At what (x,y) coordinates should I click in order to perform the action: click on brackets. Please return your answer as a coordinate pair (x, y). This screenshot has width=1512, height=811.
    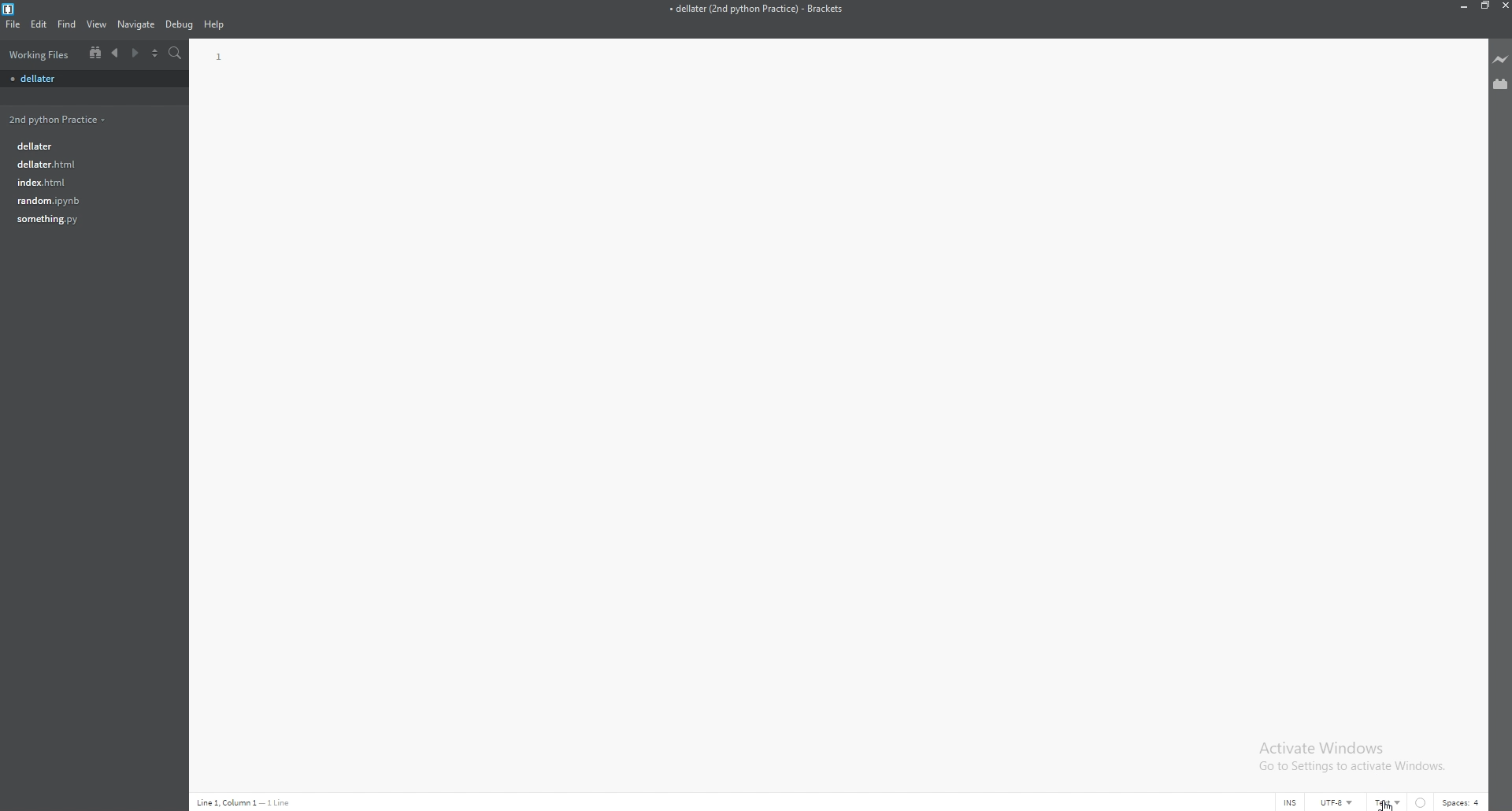
    Looking at the image, I should click on (9, 9).